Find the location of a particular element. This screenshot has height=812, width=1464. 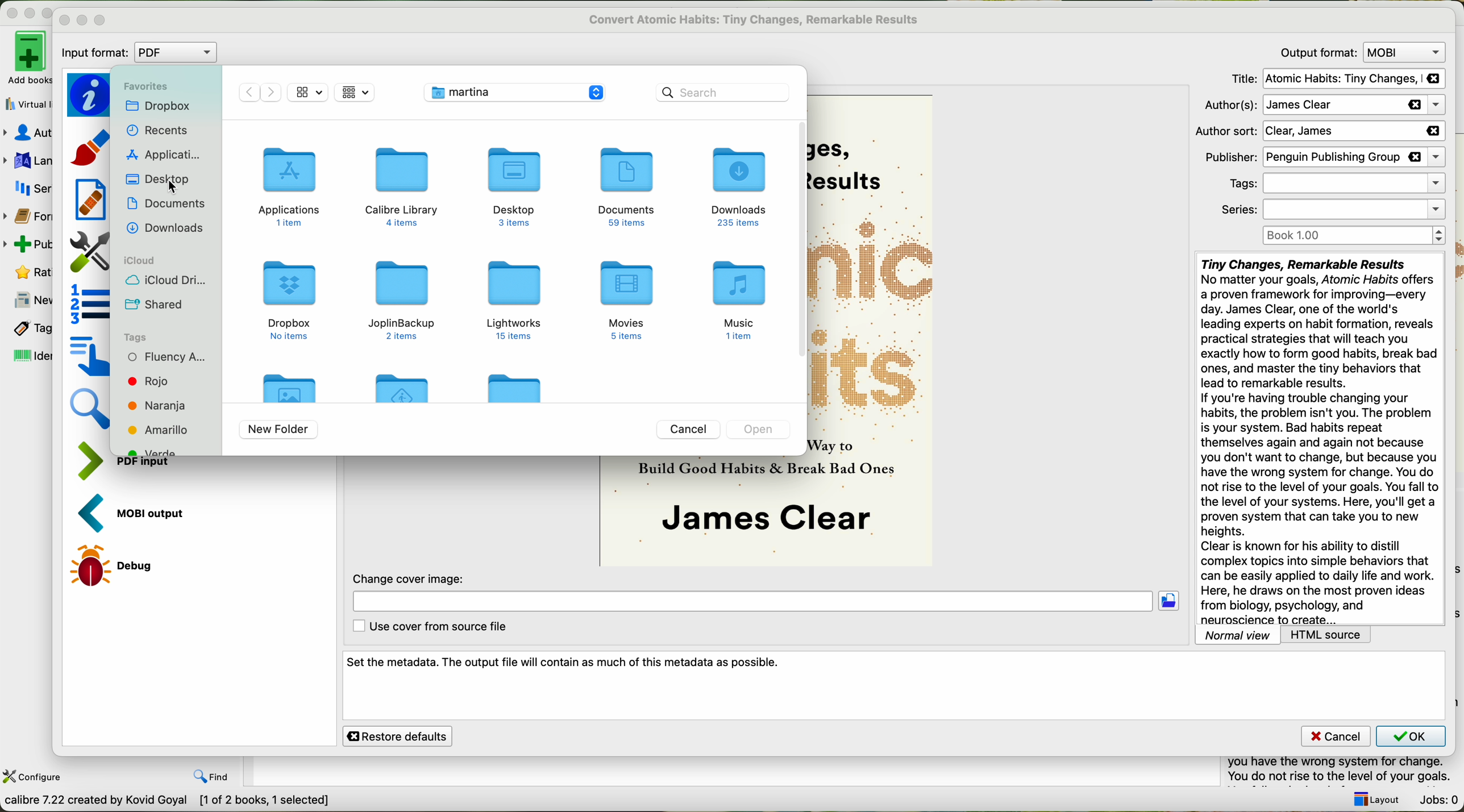

orange tag is located at coordinates (156, 407).